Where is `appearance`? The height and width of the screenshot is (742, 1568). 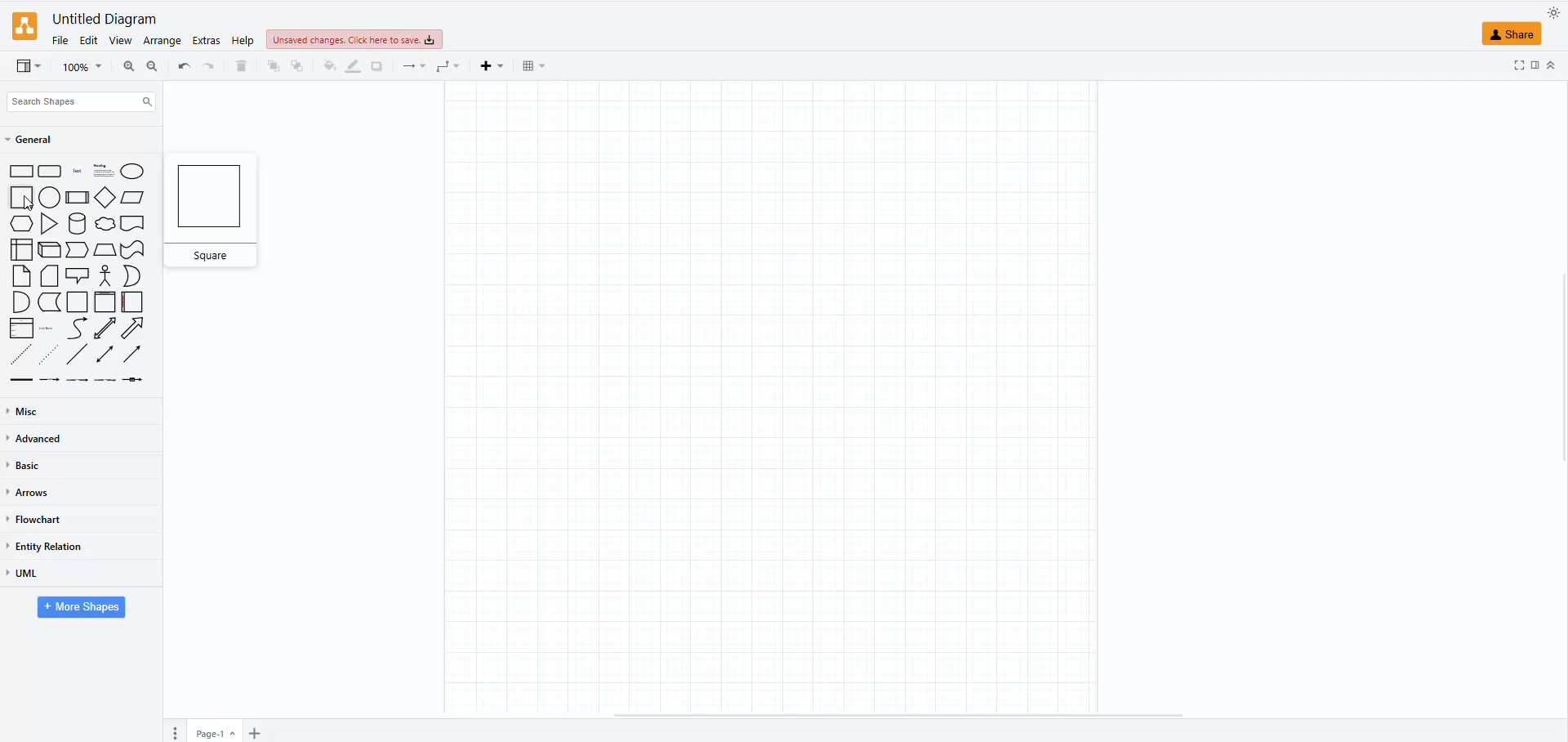
appearance is located at coordinates (1548, 14).